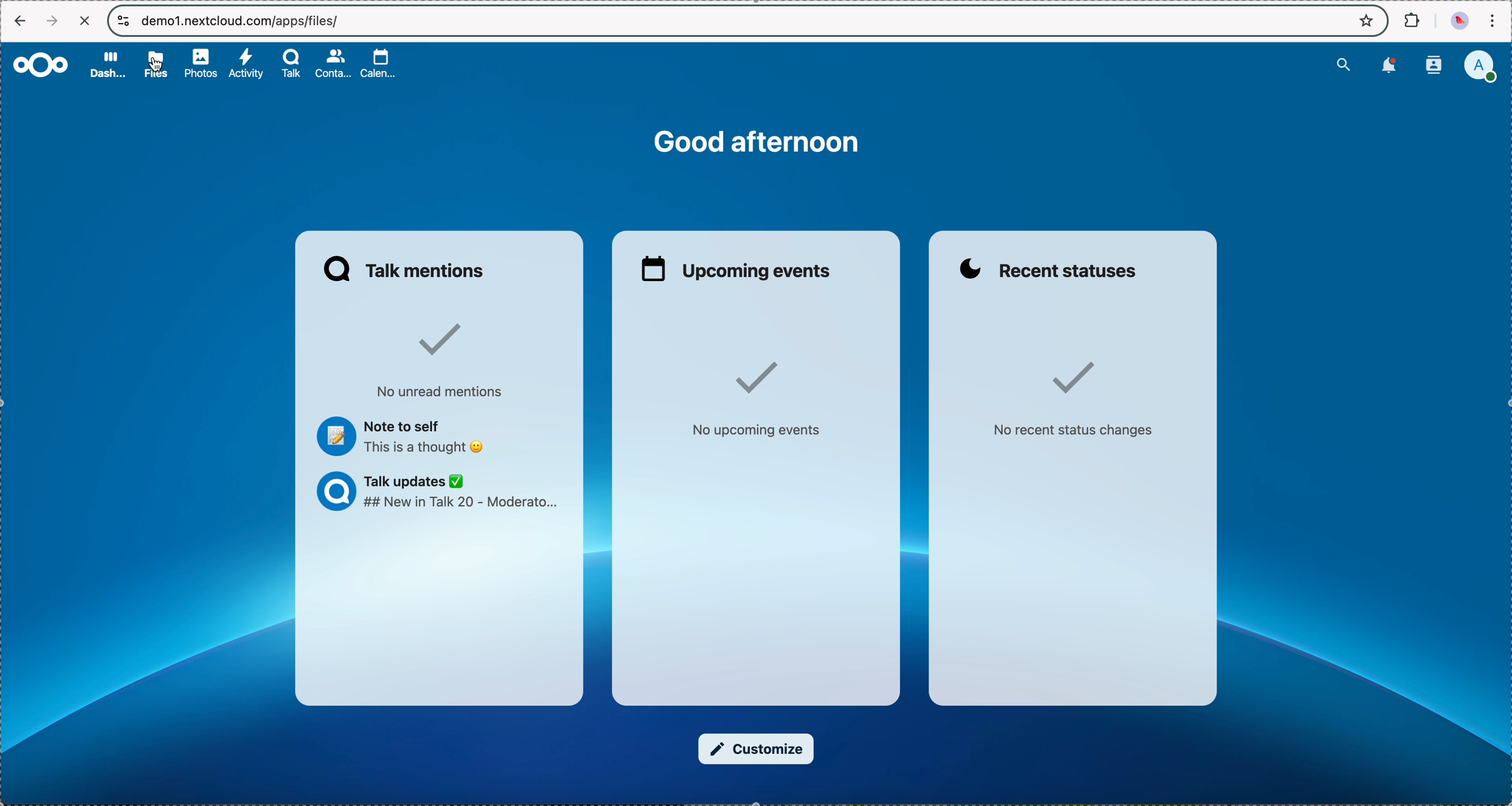 Image resolution: width=1512 pixels, height=806 pixels. What do you see at coordinates (109, 63) in the screenshot?
I see `dashboard` at bounding box center [109, 63].